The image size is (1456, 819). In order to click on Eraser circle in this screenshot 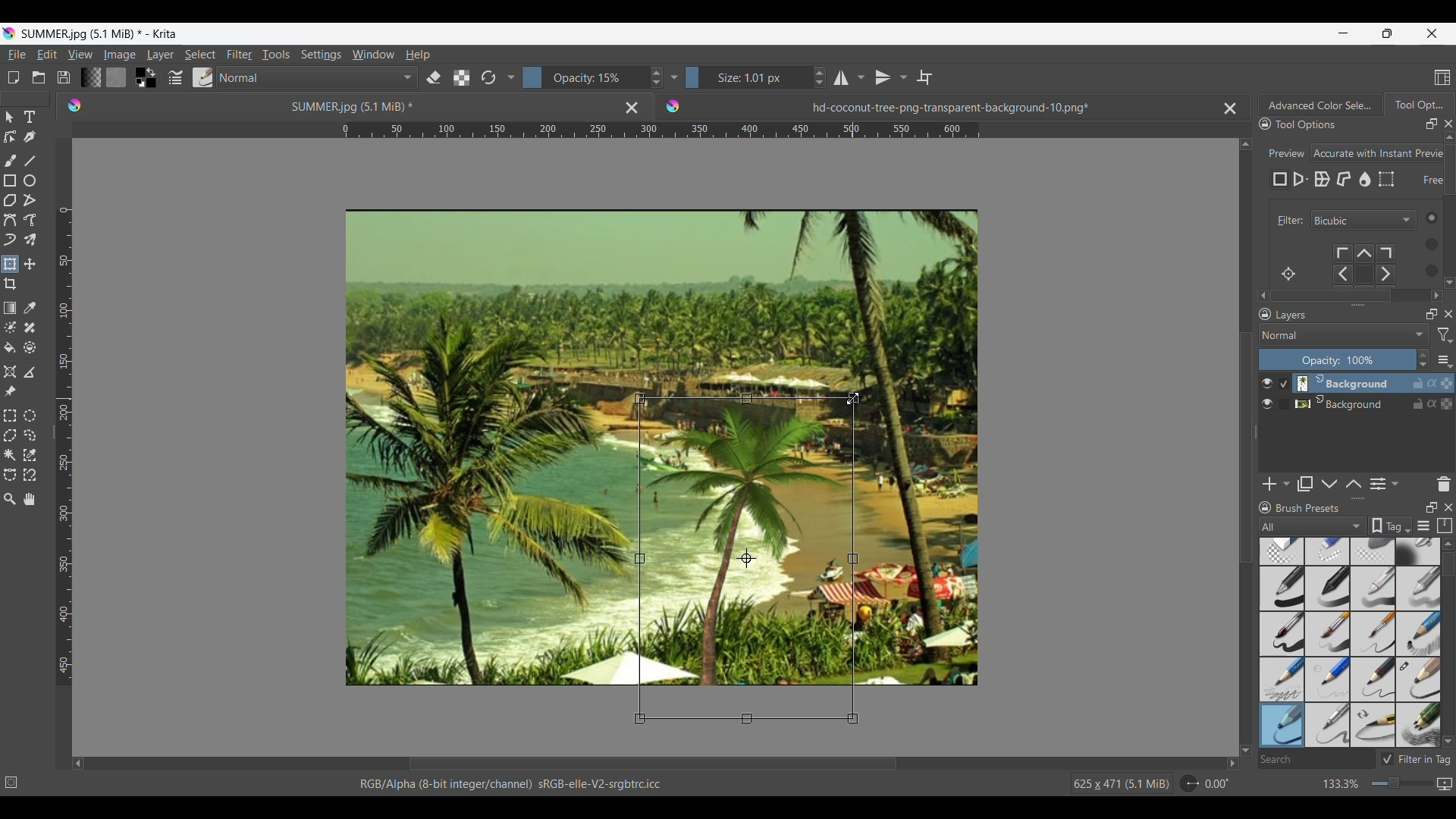, I will do `click(1281, 551)`.